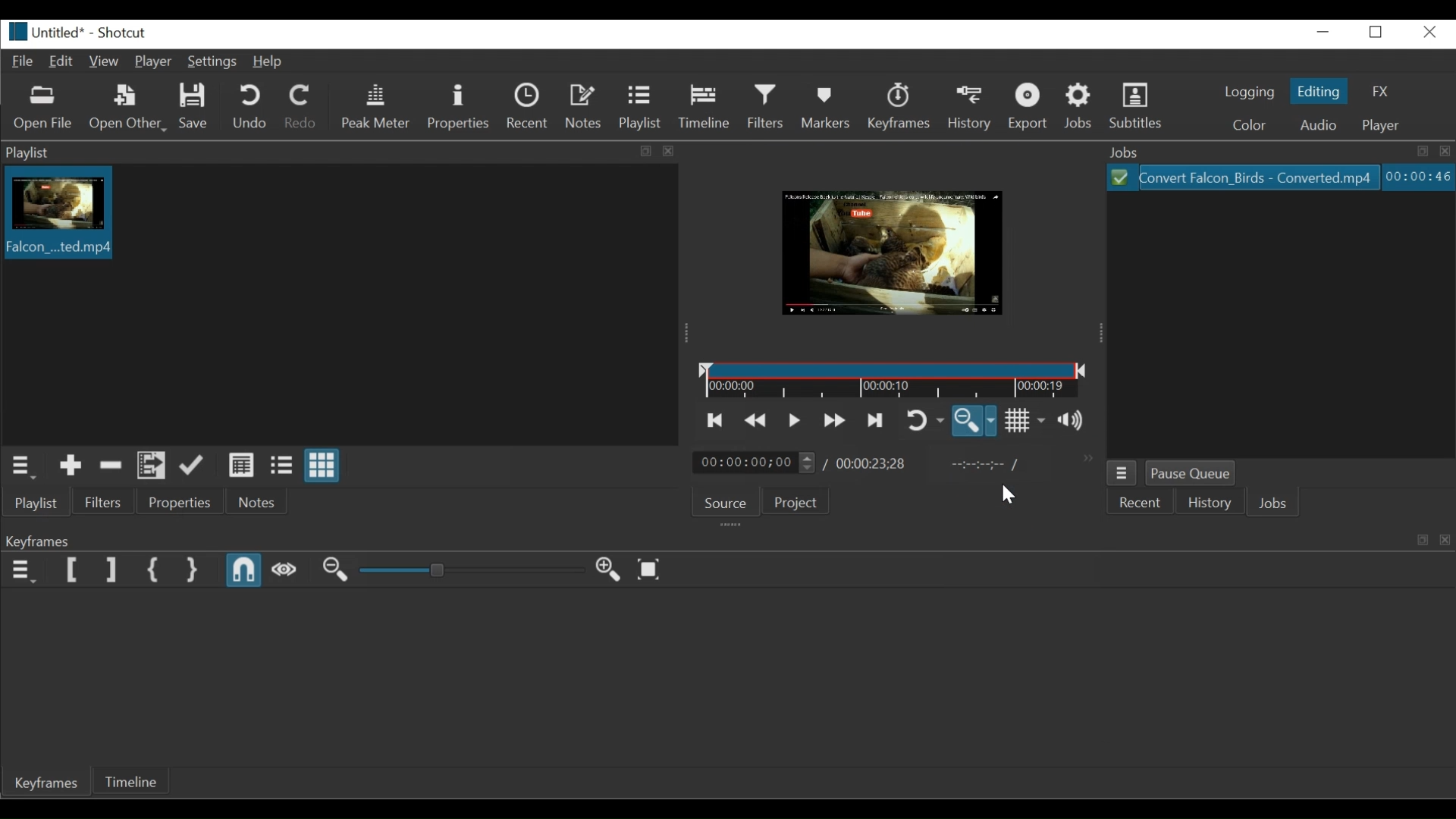  What do you see at coordinates (1028, 107) in the screenshot?
I see `Export` at bounding box center [1028, 107].